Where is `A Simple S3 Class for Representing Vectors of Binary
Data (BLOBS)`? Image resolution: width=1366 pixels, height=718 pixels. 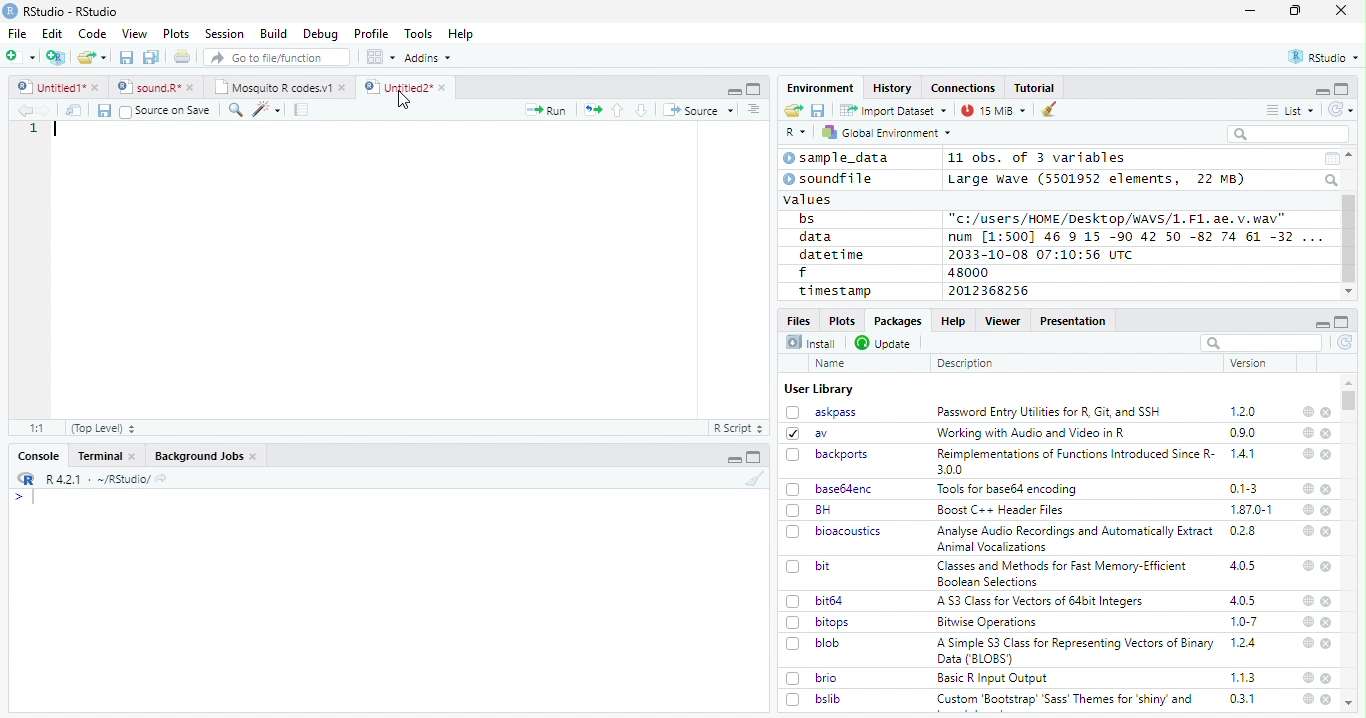 A Simple S3 Class for Representing Vectors of Binary
Data (BLOBS) is located at coordinates (1077, 650).